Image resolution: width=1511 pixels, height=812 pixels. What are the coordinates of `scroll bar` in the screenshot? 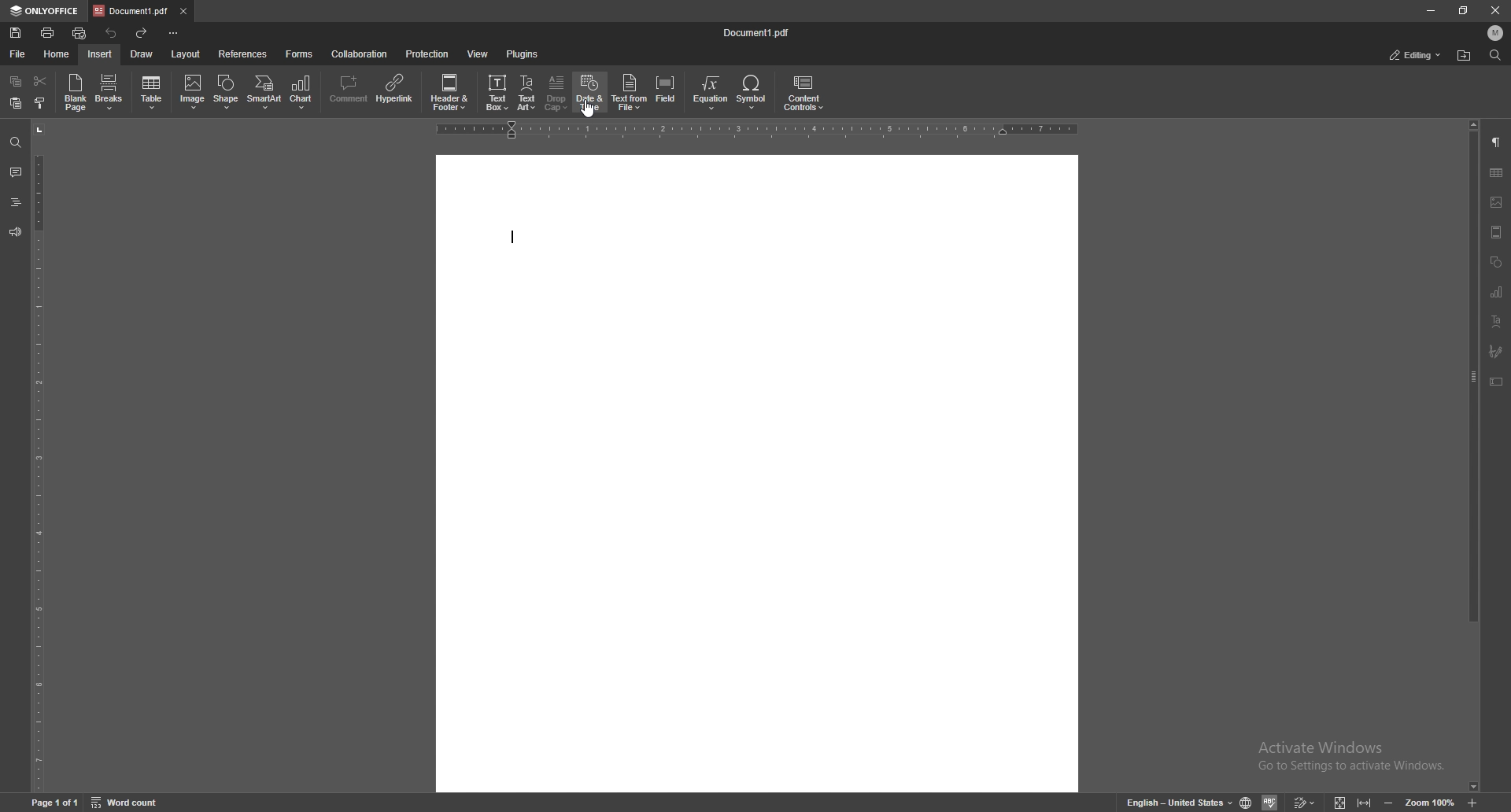 It's located at (1472, 456).